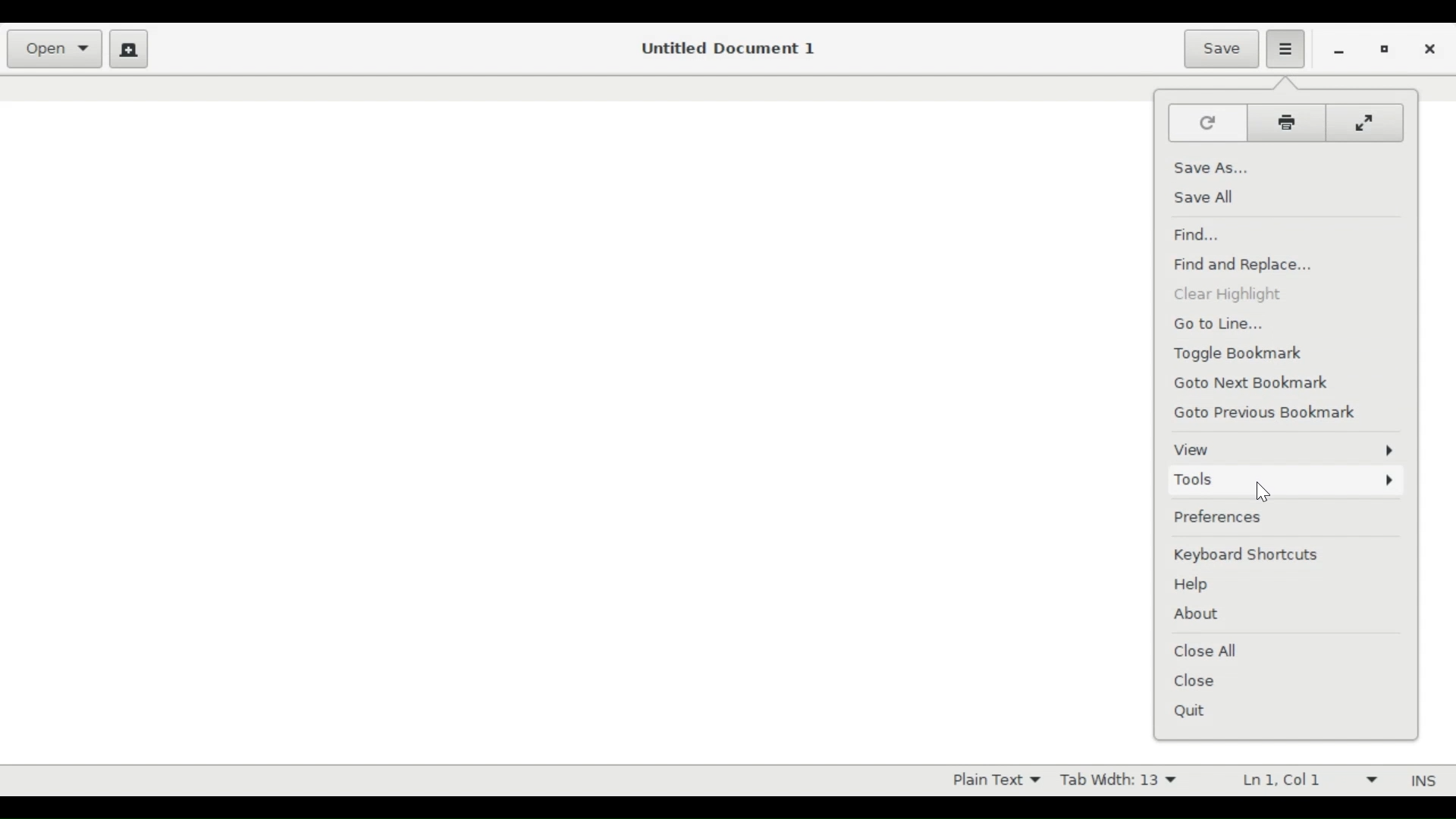 The width and height of the screenshot is (1456, 819). I want to click on About, so click(1197, 614).